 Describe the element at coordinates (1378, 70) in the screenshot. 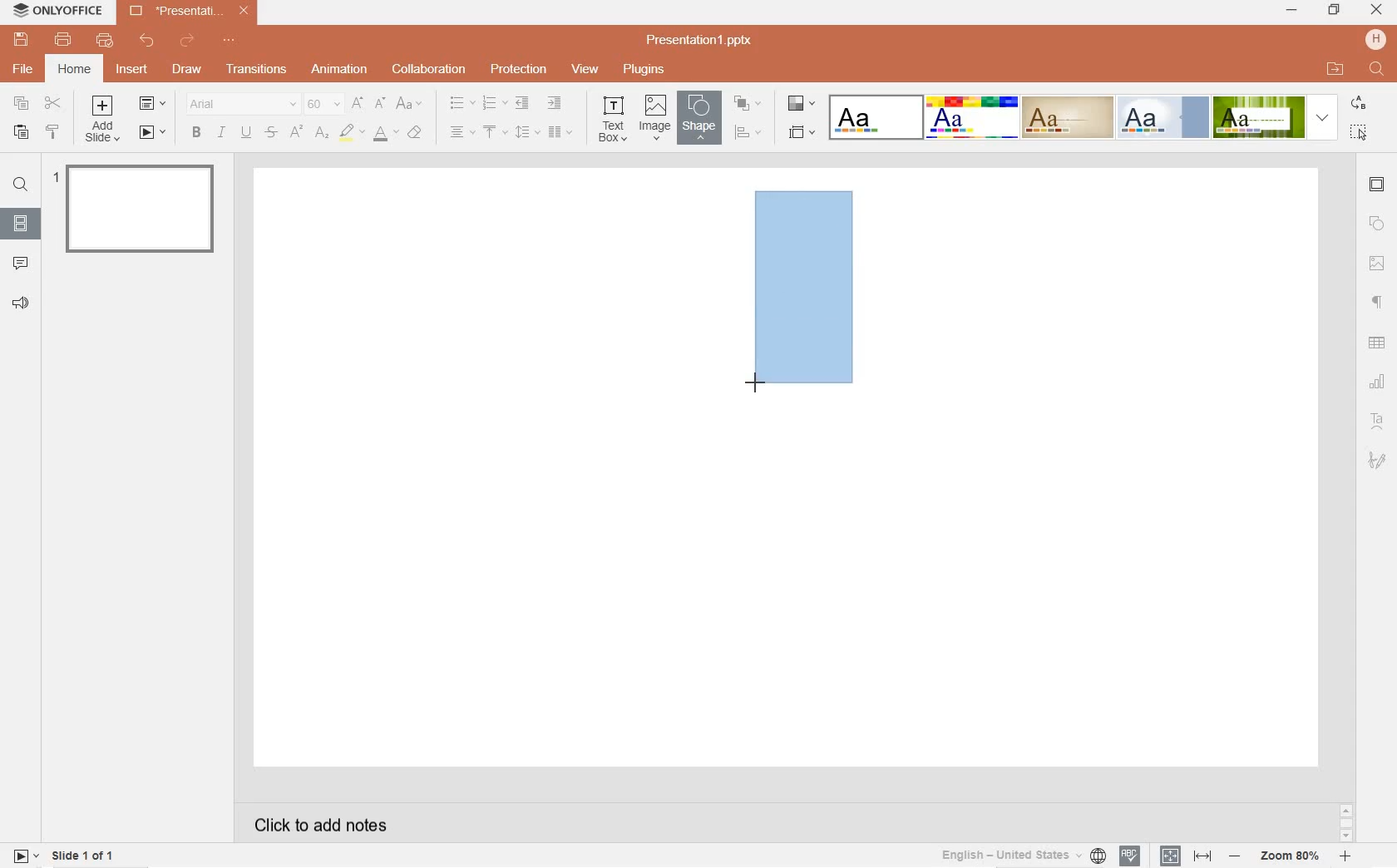

I see `FIND` at that location.